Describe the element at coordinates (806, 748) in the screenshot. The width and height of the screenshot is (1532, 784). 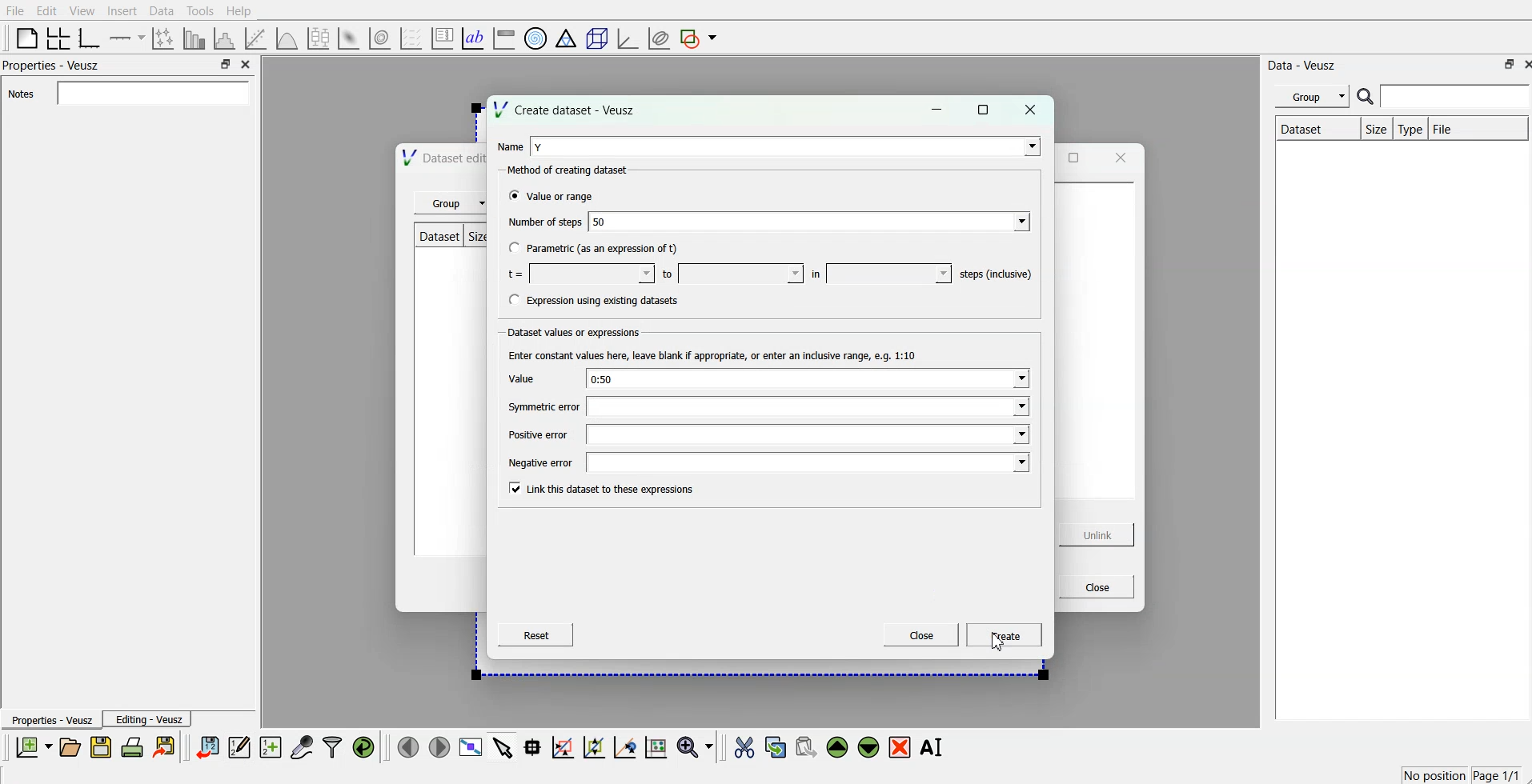
I see `paste the selected widgets` at that location.